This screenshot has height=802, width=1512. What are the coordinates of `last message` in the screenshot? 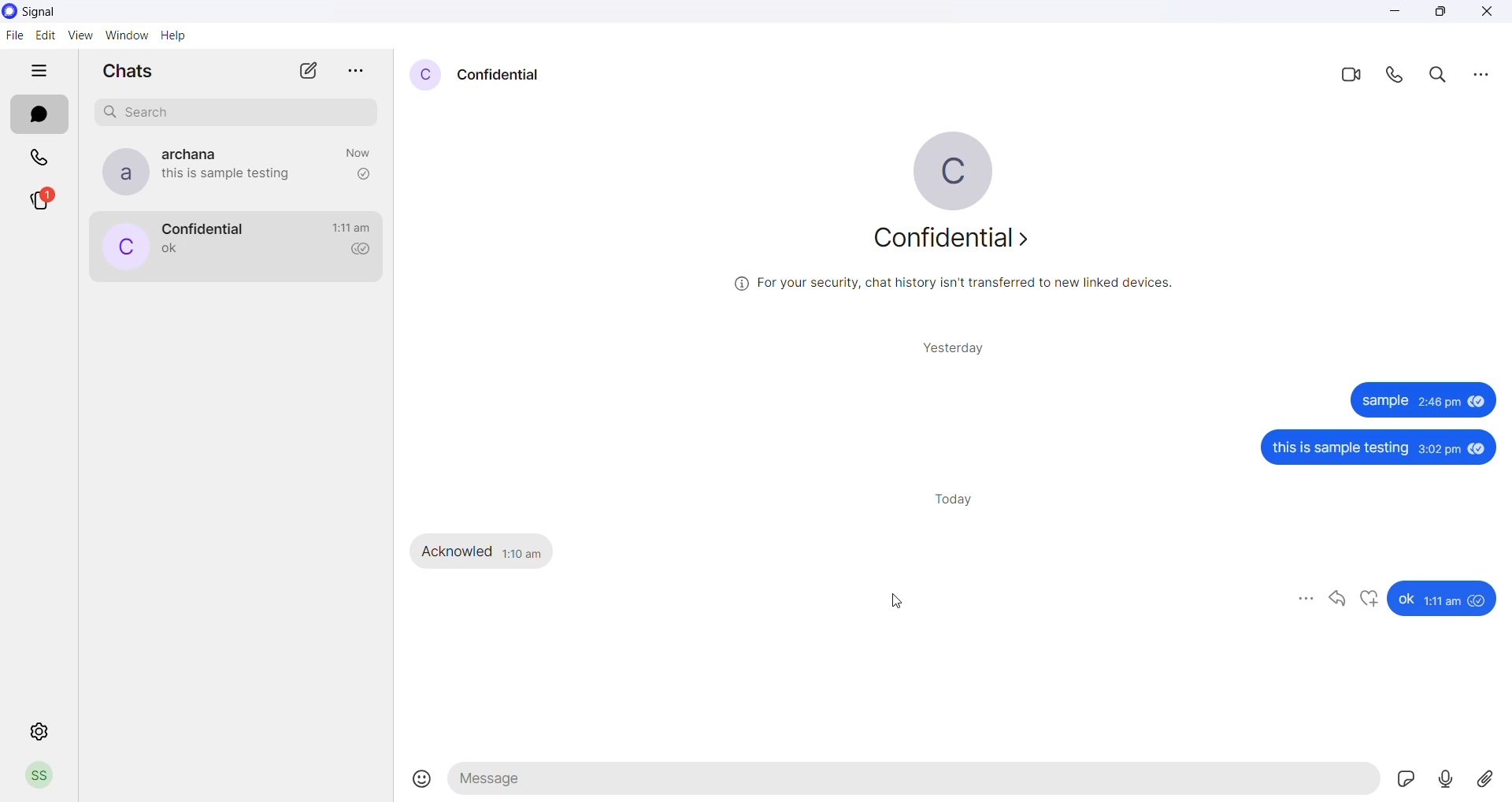 It's located at (235, 176).